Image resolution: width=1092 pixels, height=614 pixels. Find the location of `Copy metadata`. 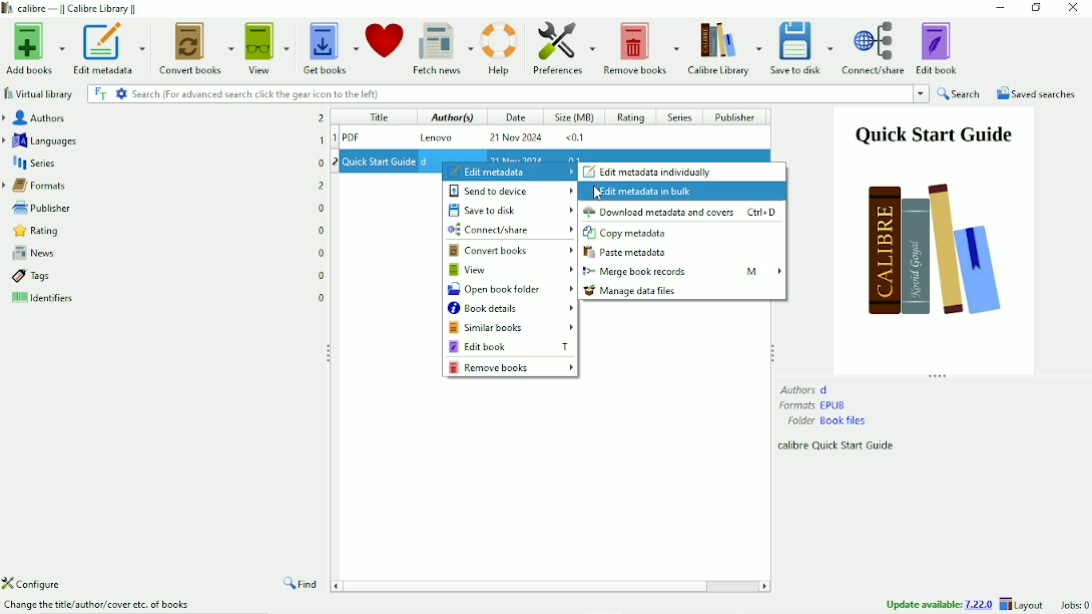

Copy metadata is located at coordinates (628, 234).